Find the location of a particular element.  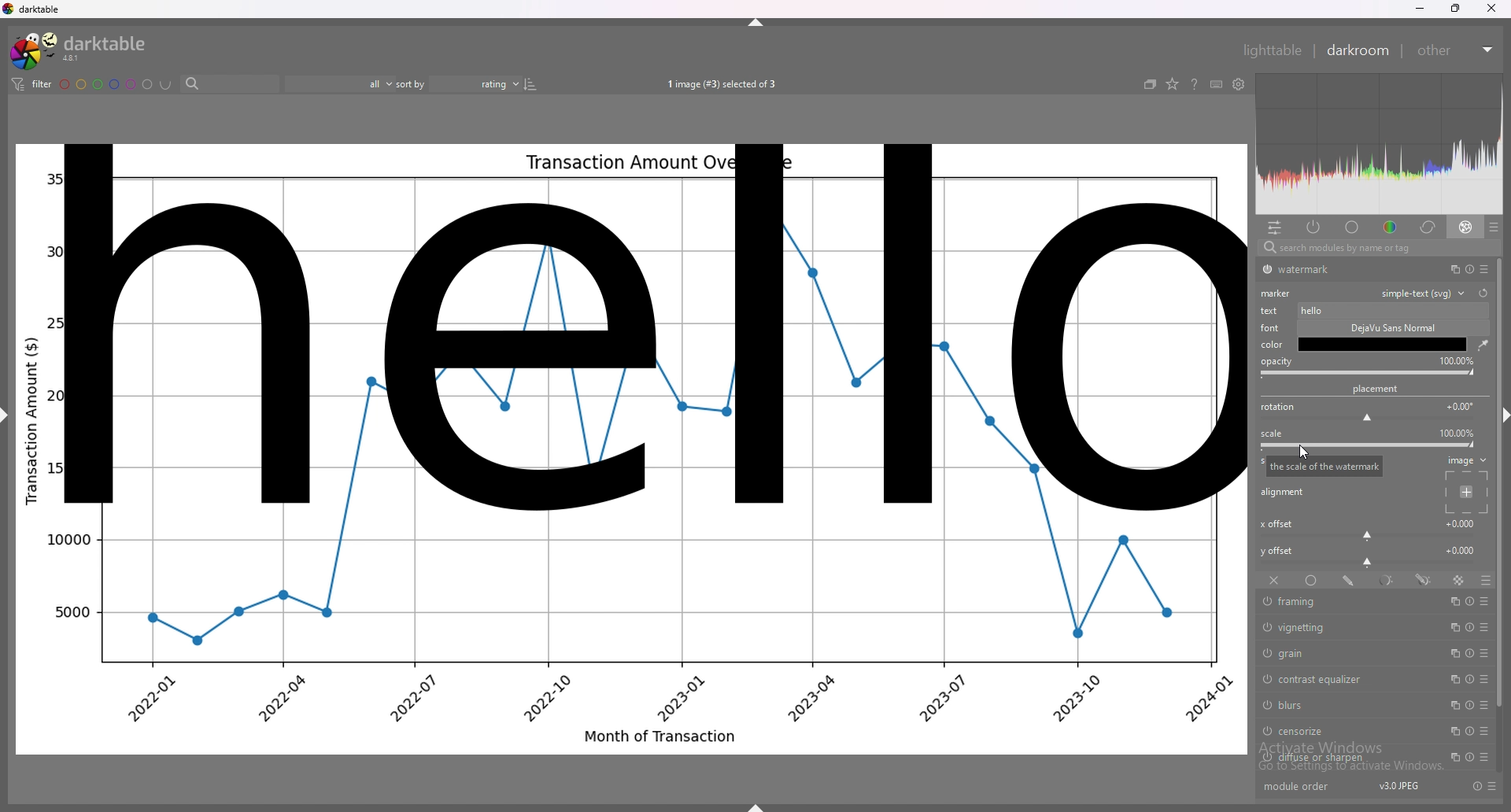

uniformly is located at coordinates (1311, 580).